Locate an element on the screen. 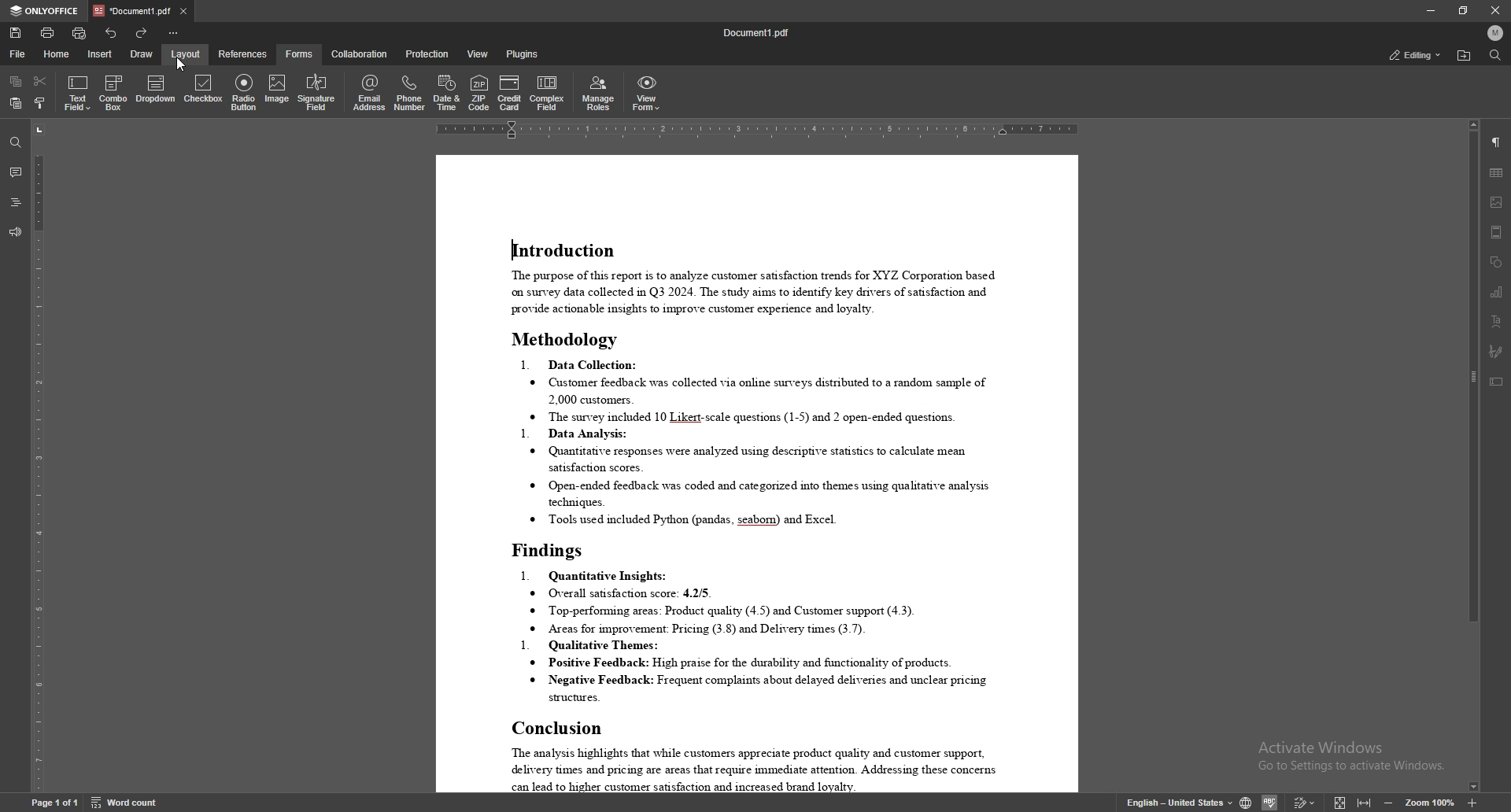 This screenshot has width=1511, height=812. change text language is located at coordinates (1170, 804).